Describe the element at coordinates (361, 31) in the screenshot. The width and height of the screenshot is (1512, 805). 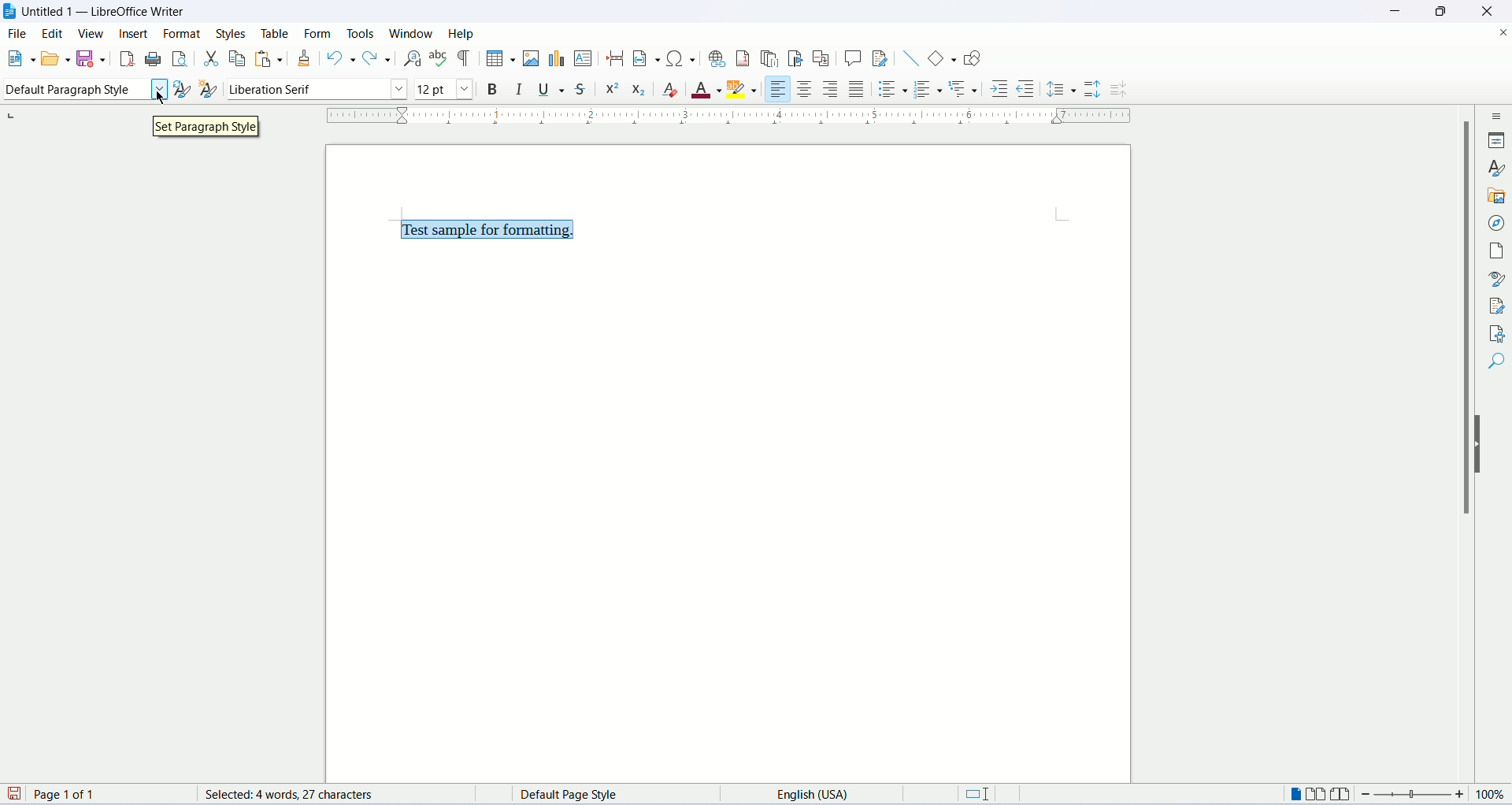
I see `tools` at that location.